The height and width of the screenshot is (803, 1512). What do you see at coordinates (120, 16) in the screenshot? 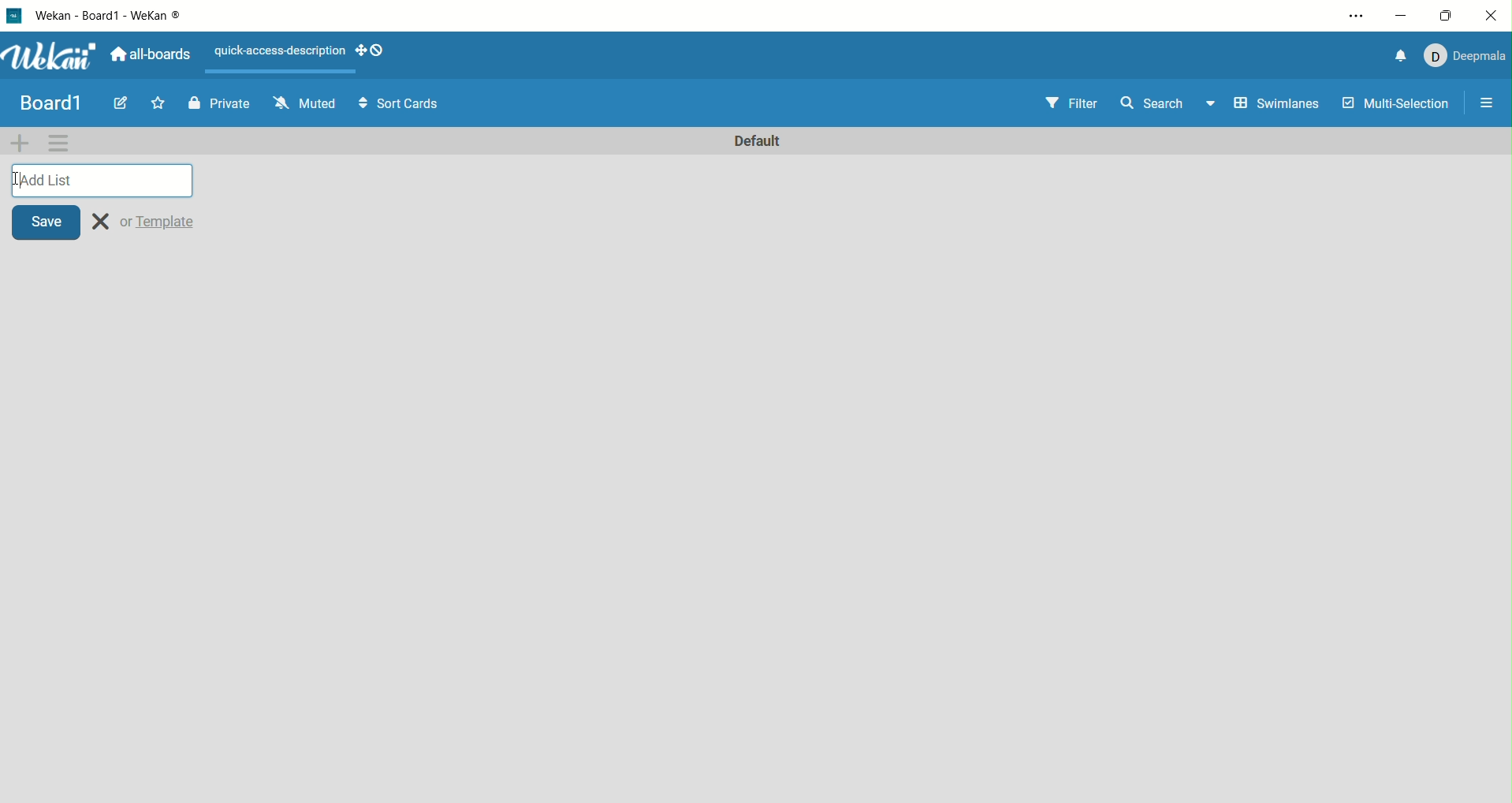
I see `wekan-wekan` at bounding box center [120, 16].